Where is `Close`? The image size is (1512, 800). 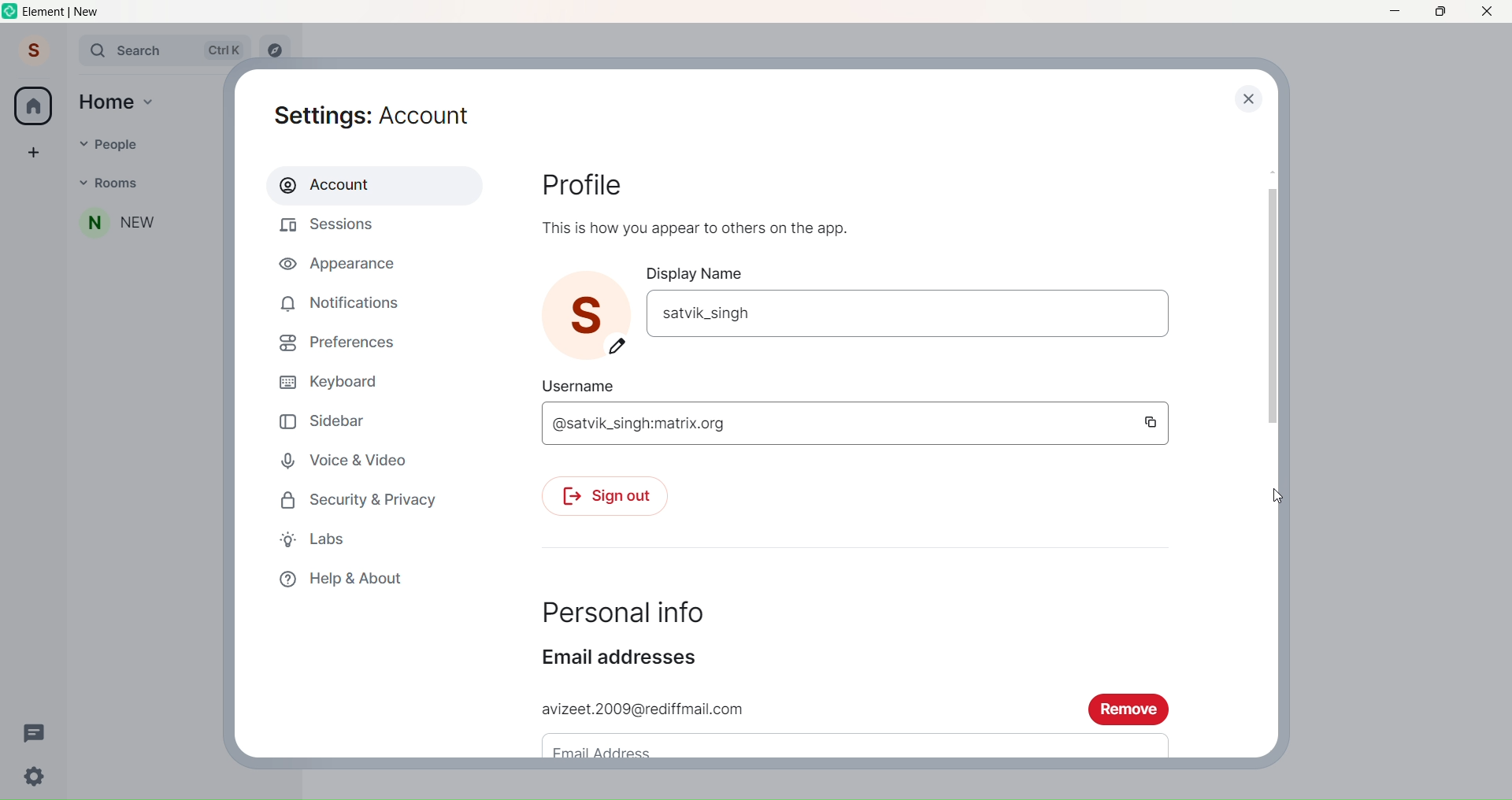 Close is located at coordinates (1488, 12).